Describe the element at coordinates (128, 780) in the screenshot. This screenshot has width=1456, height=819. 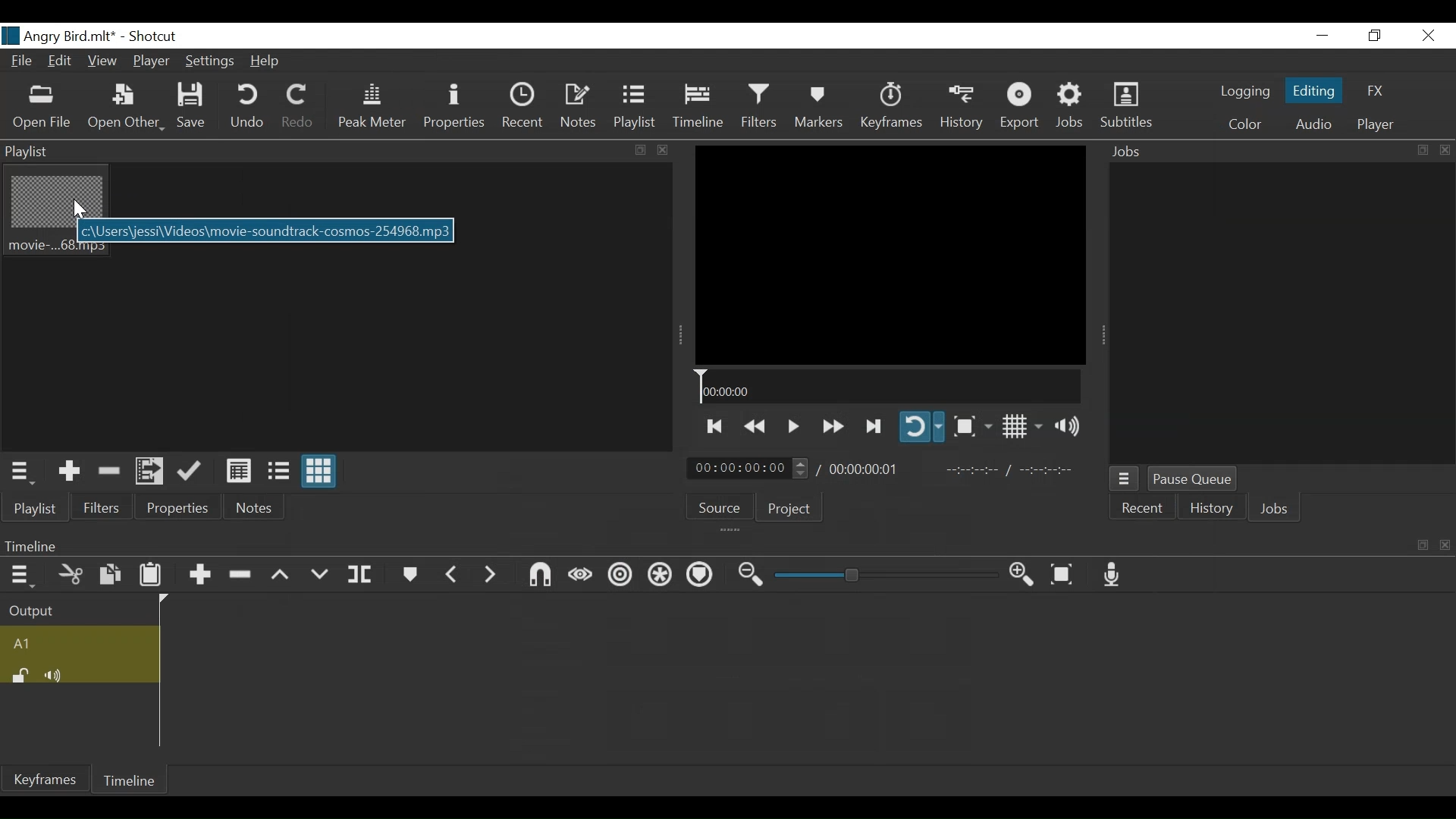
I see `Timeline` at that location.